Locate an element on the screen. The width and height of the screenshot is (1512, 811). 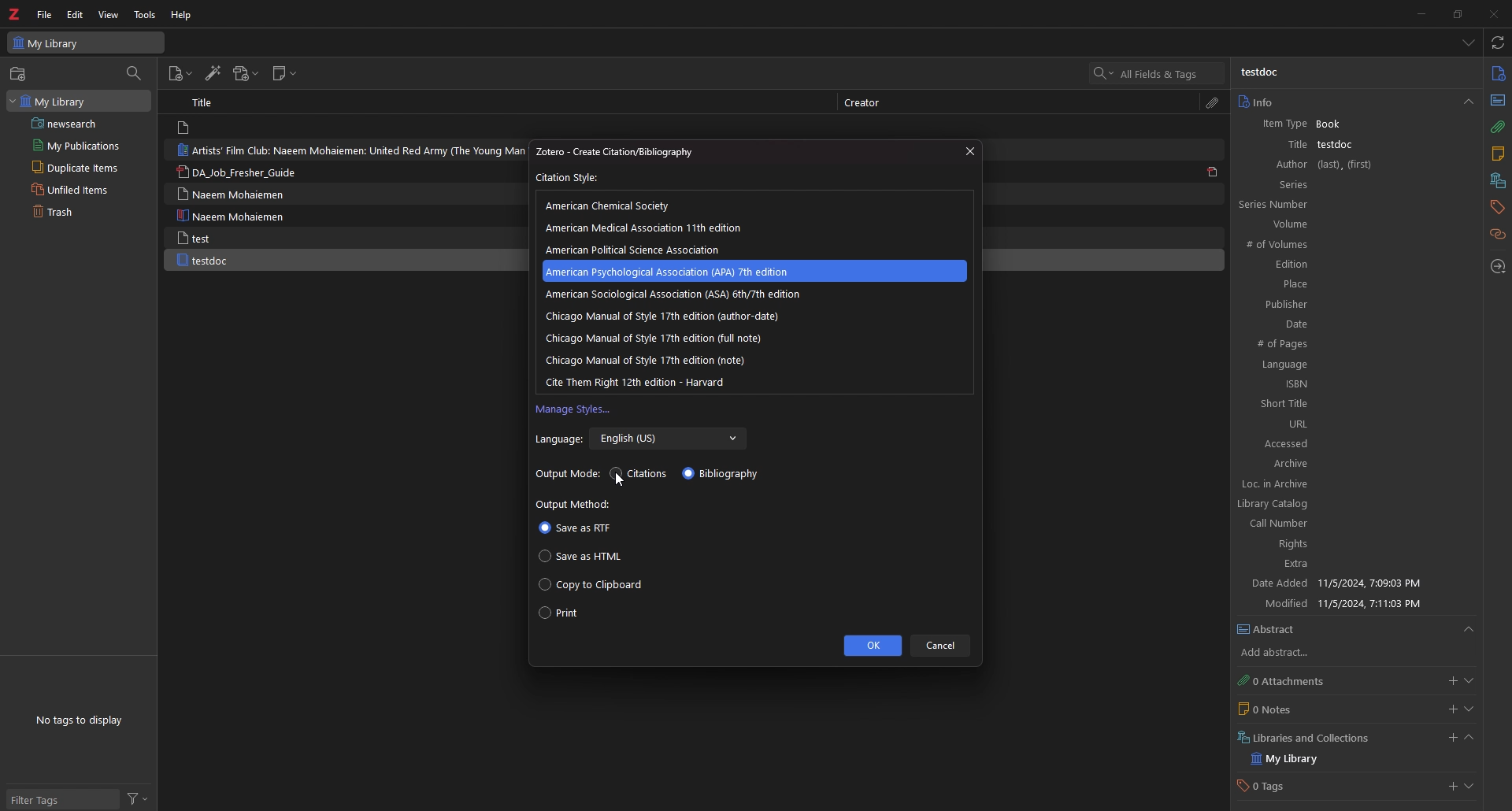
# of Volumes is located at coordinates (1342, 246).